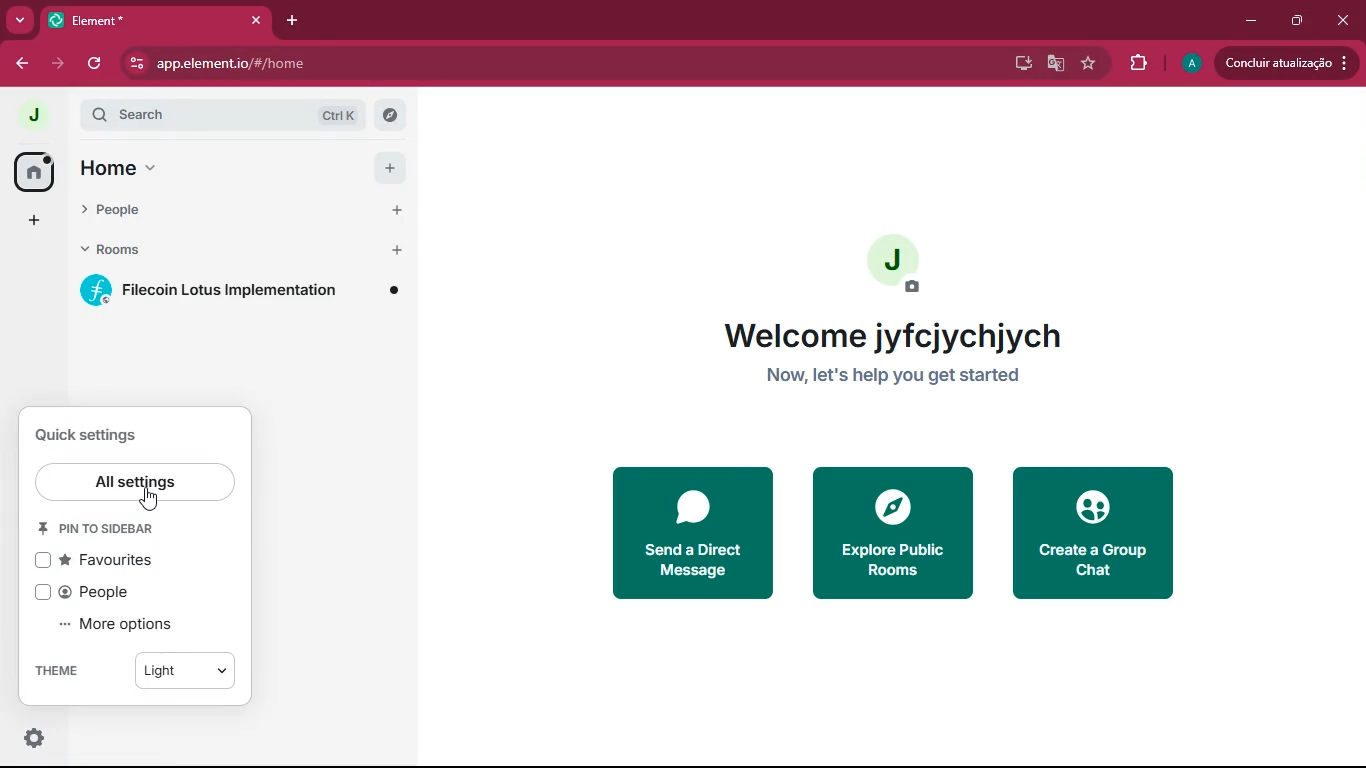 Image resolution: width=1366 pixels, height=768 pixels. Describe the element at coordinates (1252, 19) in the screenshot. I see `minimize` at that location.